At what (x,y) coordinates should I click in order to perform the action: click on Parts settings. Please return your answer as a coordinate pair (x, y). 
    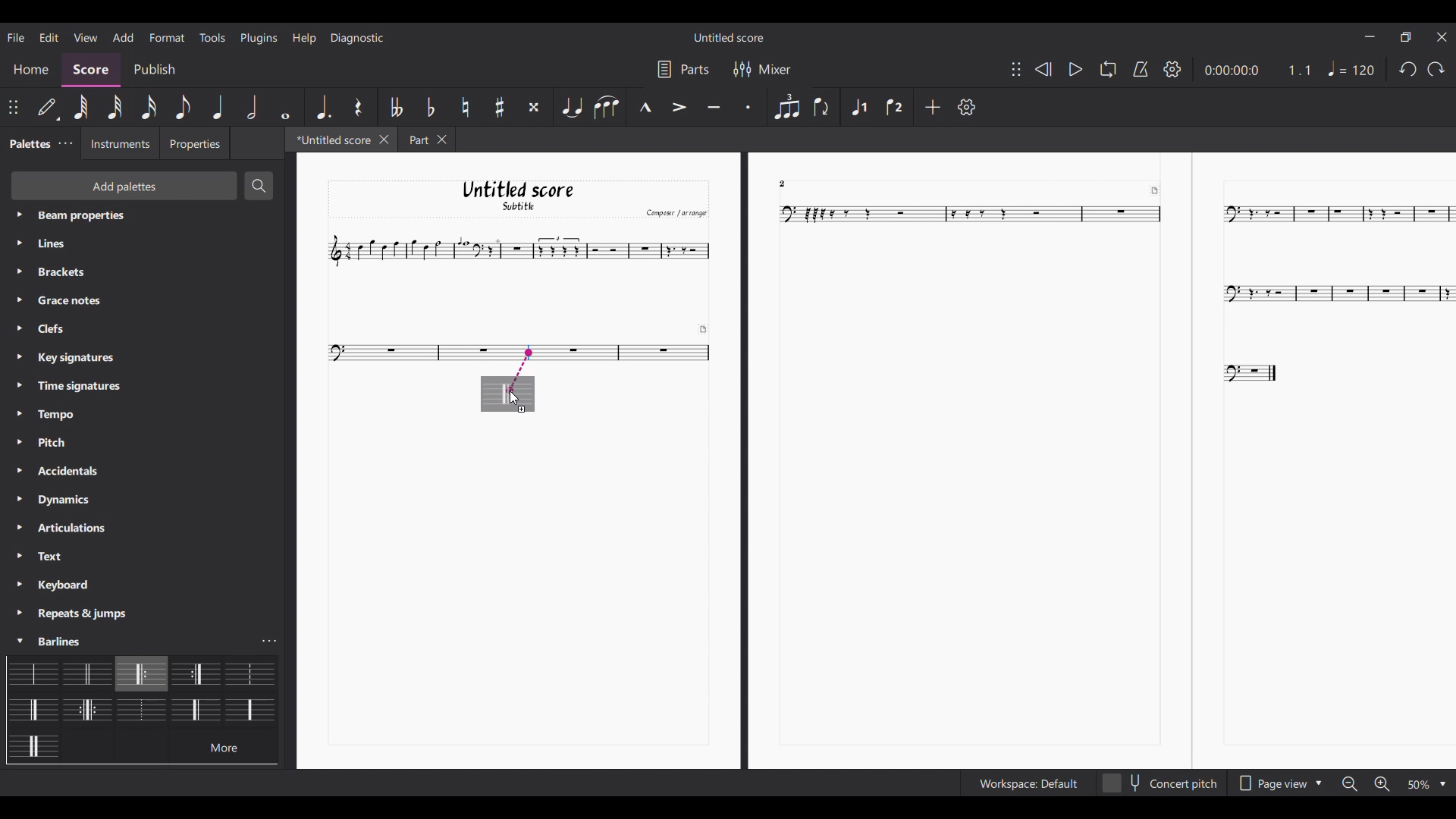
    Looking at the image, I should click on (683, 69).